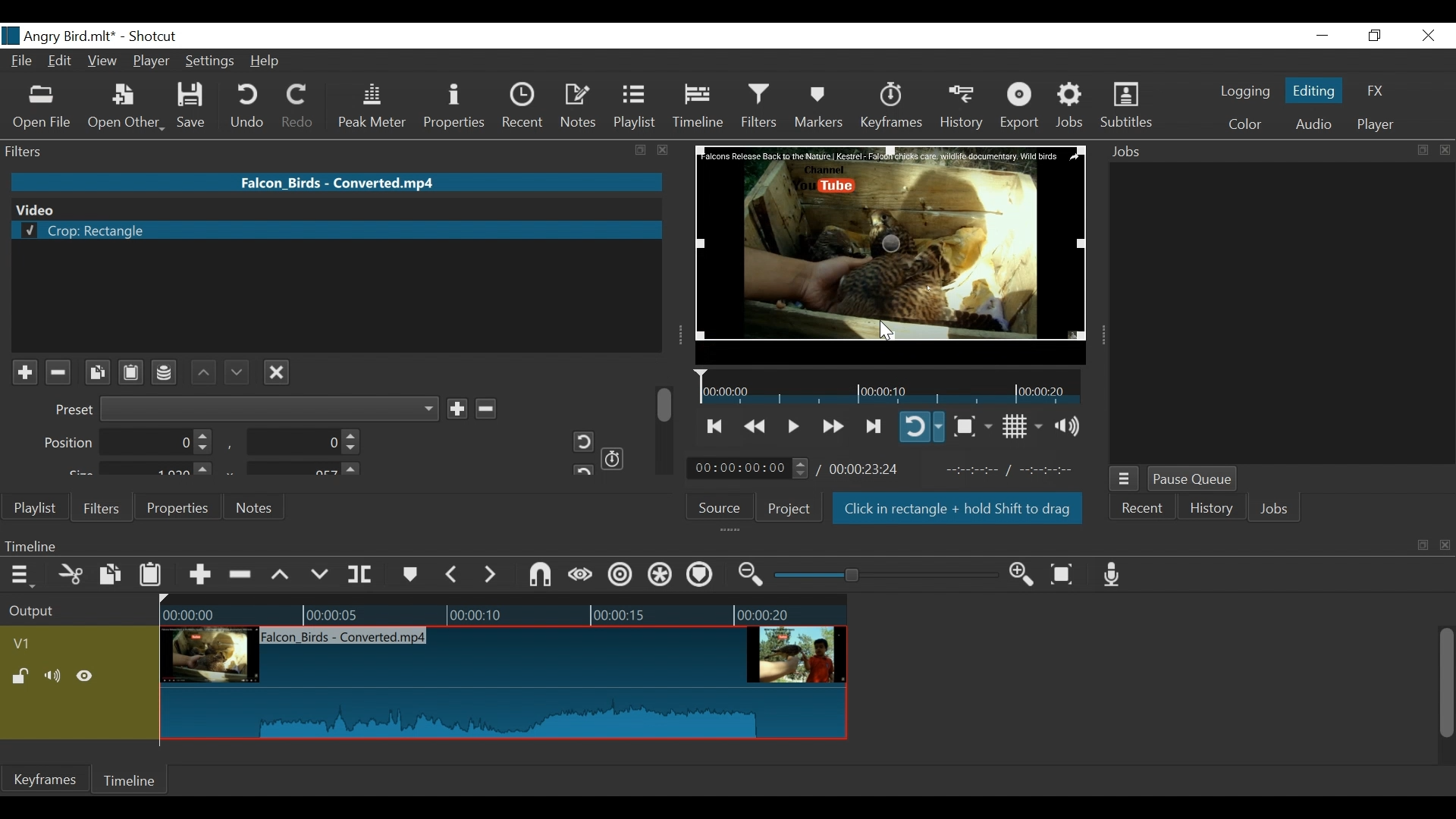 The width and height of the screenshot is (1456, 819). What do you see at coordinates (131, 780) in the screenshot?
I see `Timeline` at bounding box center [131, 780].